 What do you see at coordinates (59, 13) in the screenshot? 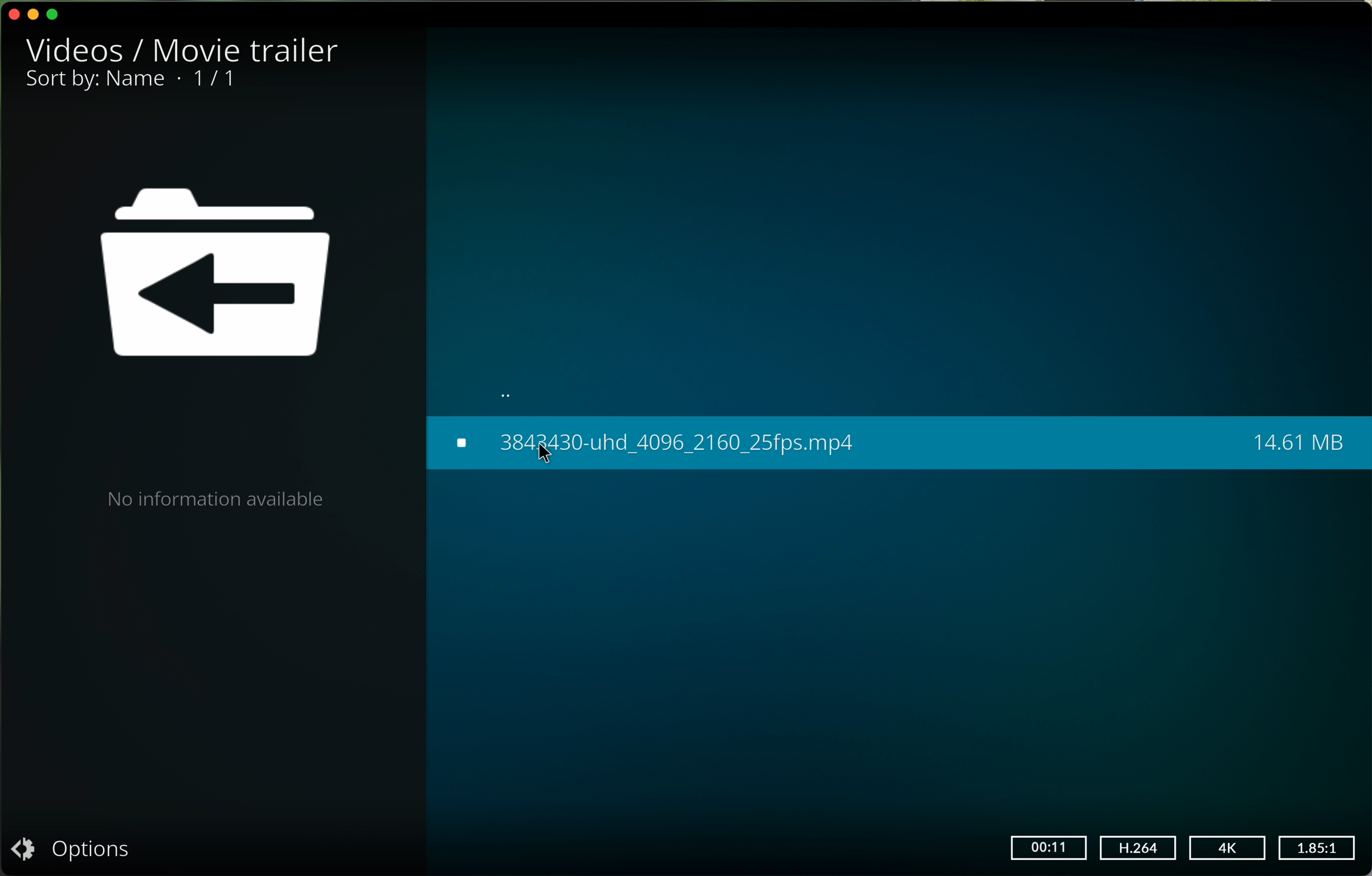
I see `maximise` at bounding box center [59, 13].